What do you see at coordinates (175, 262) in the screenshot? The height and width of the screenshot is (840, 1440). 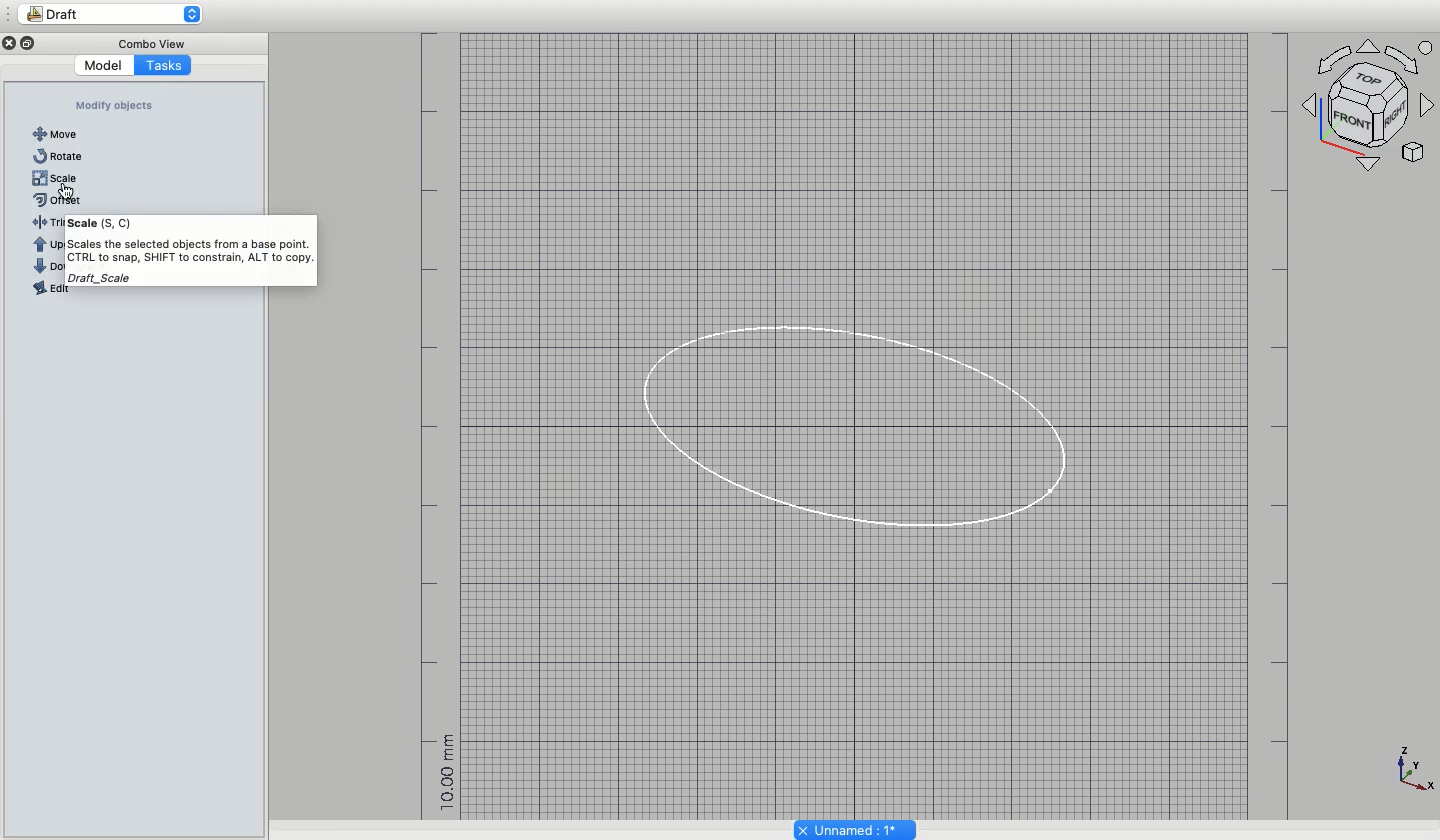 I see `[Scale (S, C)

Scales the selected objects from a base point.
(CTRL to snap, SHIFT to constrain, ALT to copy.
Draft_Scale` at bounding box center [175, 262].